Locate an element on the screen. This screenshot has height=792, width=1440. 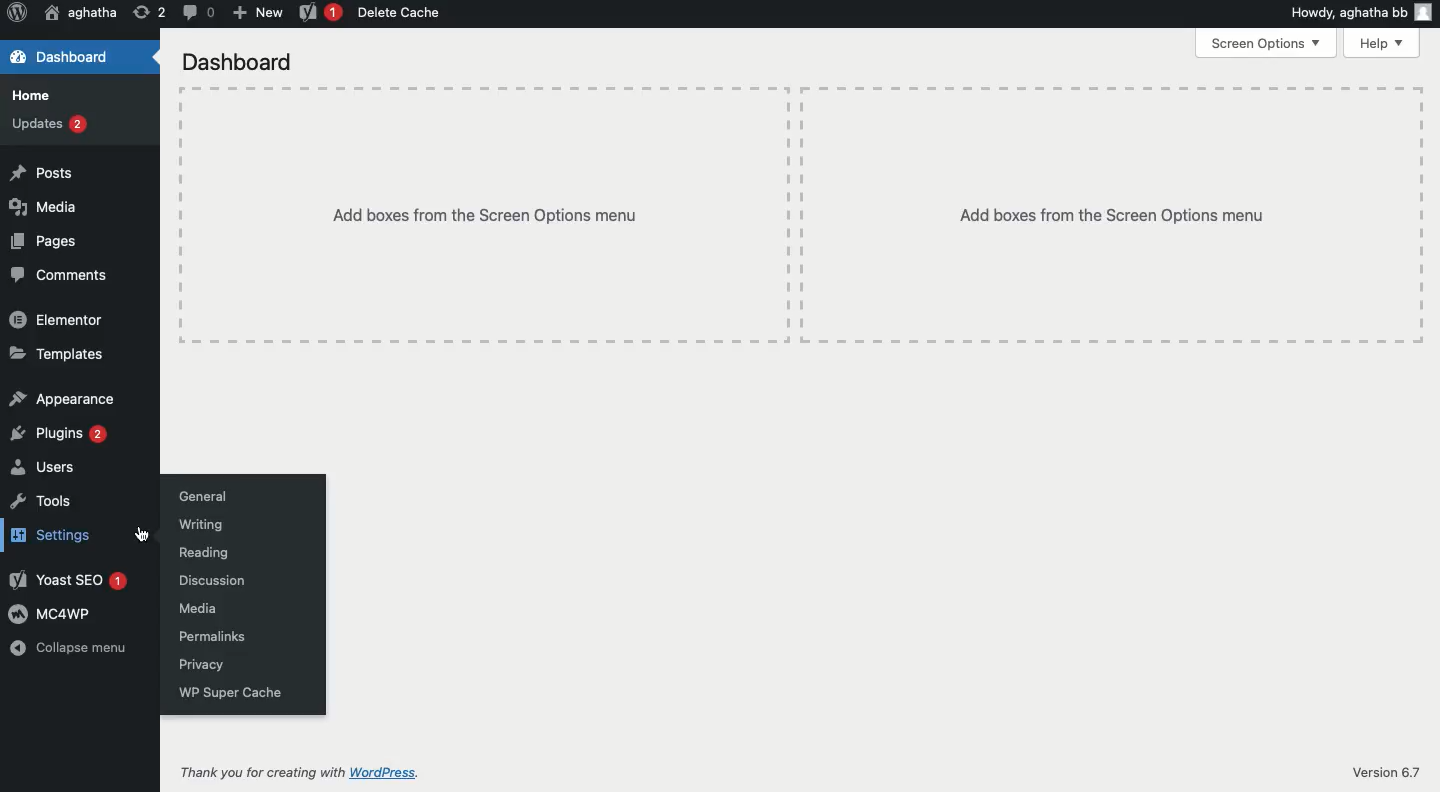
Dashboard is located at coordinates (238, 62).